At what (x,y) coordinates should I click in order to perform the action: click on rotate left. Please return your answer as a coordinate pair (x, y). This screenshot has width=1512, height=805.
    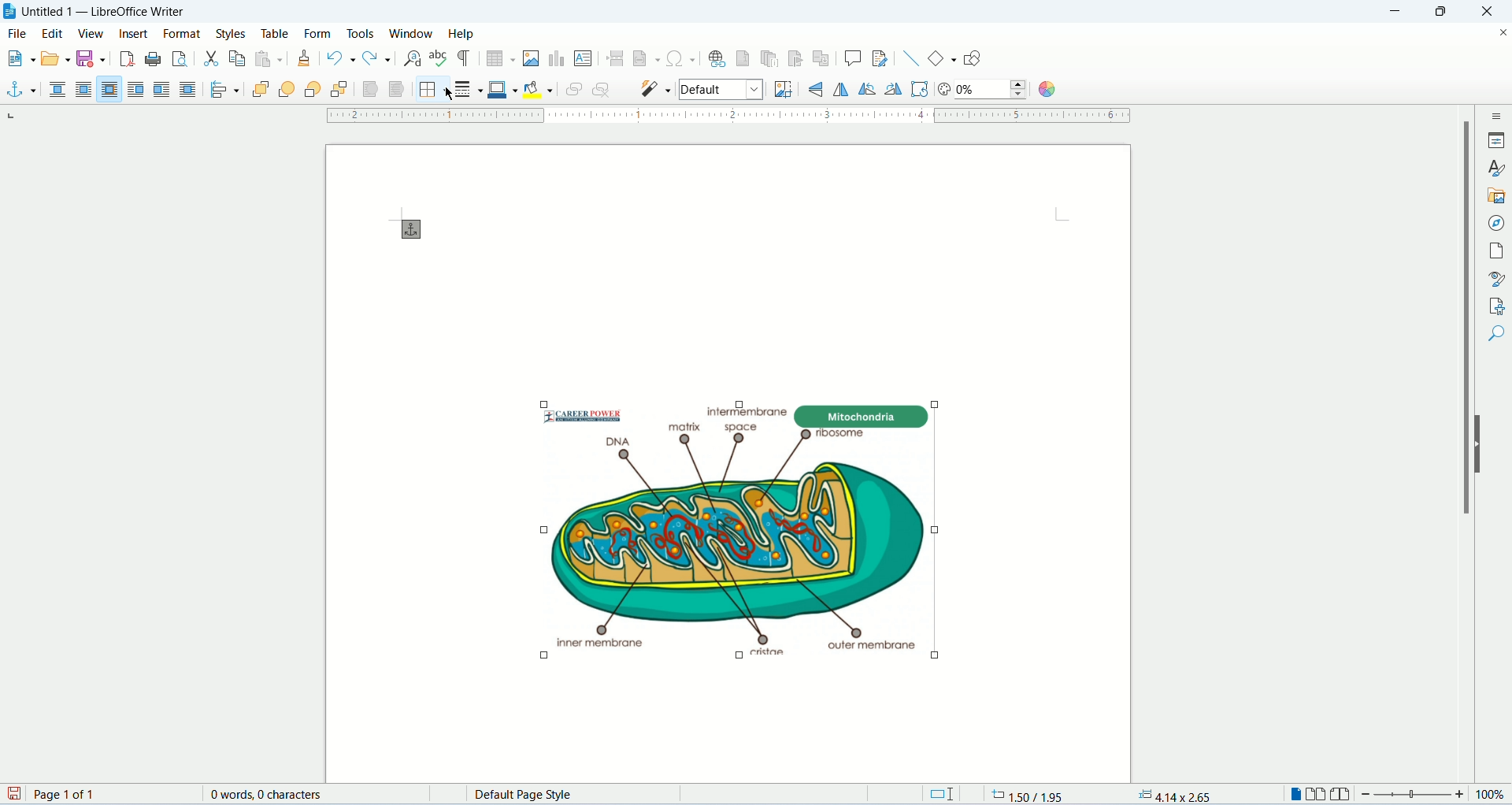
    Looking at the image, I should click on (869, 90).